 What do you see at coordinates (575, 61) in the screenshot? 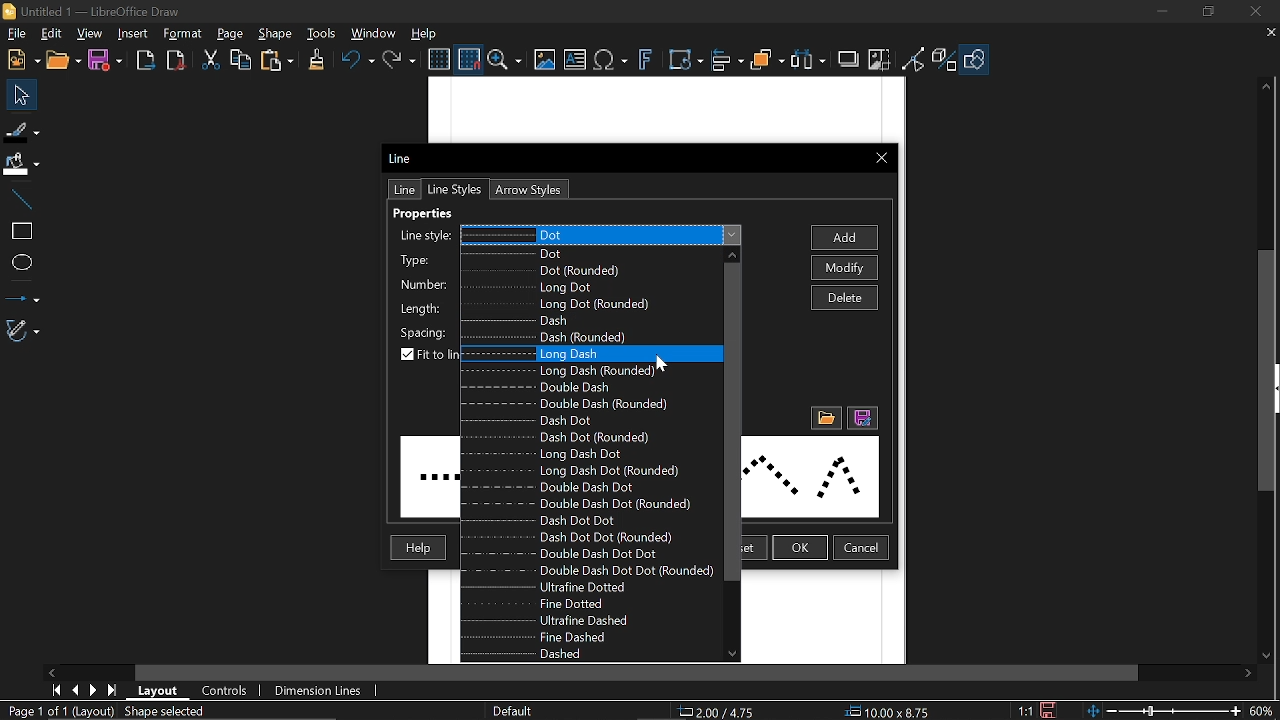
I see `insert text` at bounding box center [575, 61].